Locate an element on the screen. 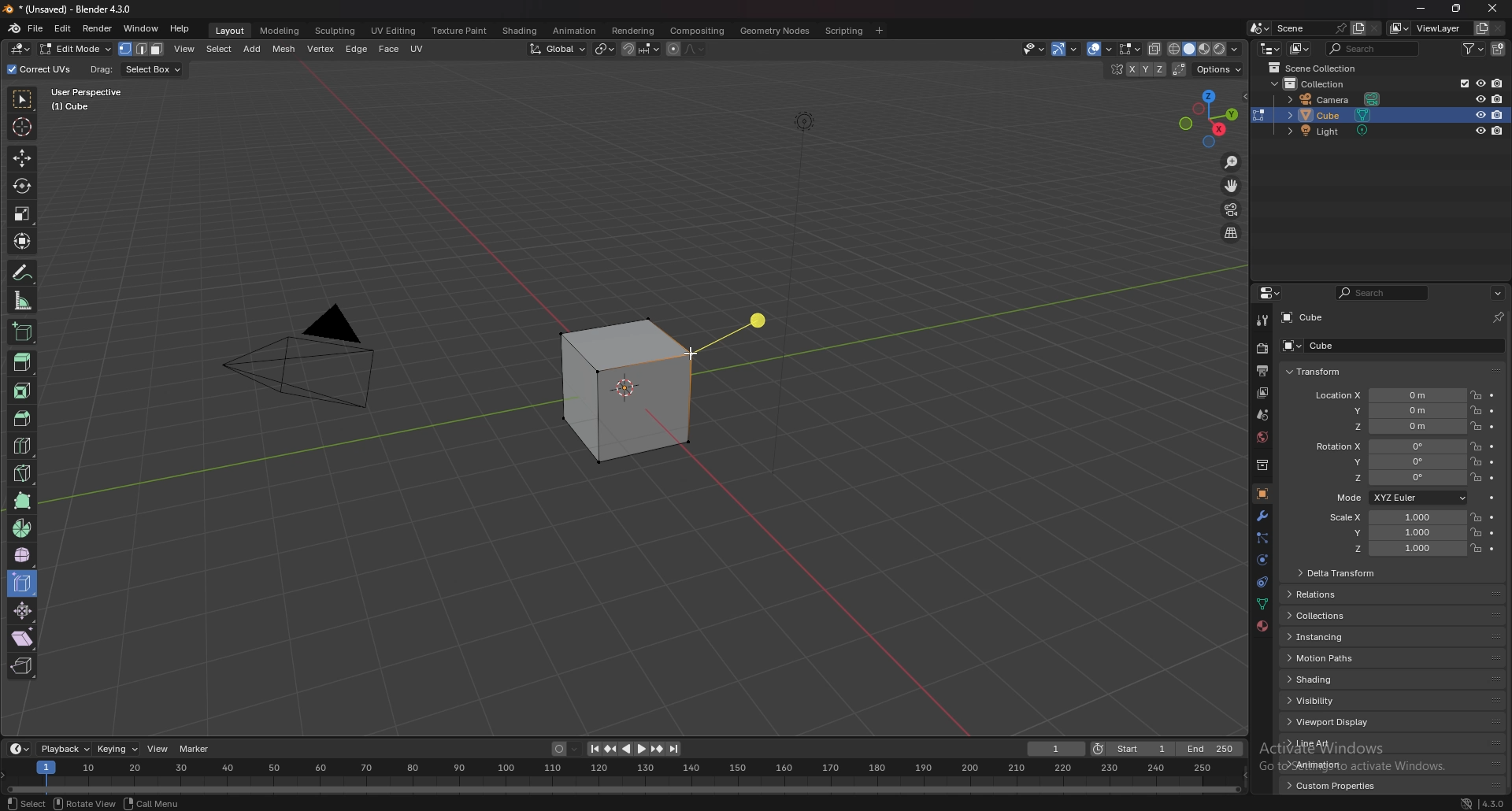  data is located at coordinates (1262, 604).